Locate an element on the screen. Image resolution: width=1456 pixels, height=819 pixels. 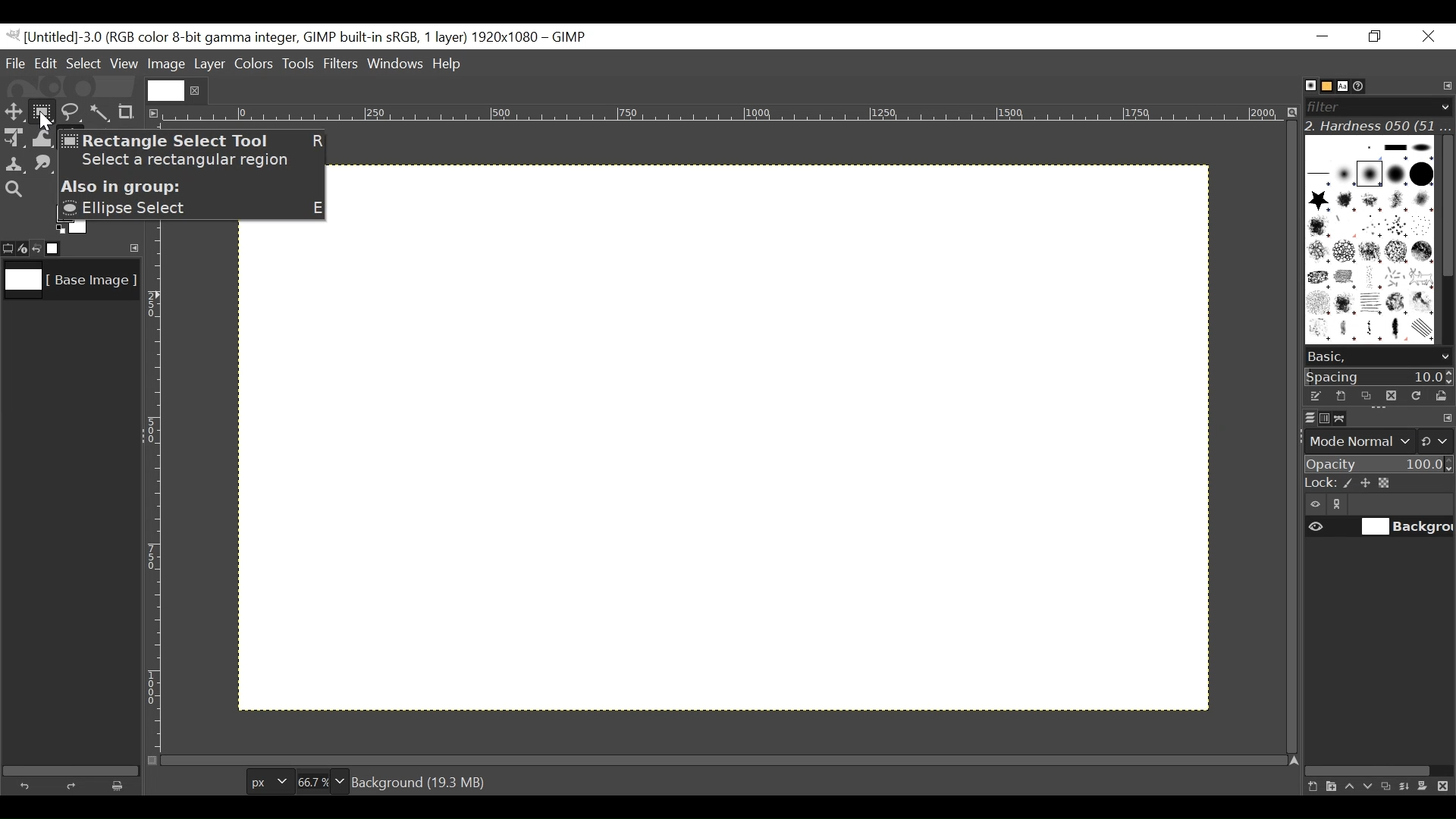
Zoom factor is located at coordinates (322, 780).